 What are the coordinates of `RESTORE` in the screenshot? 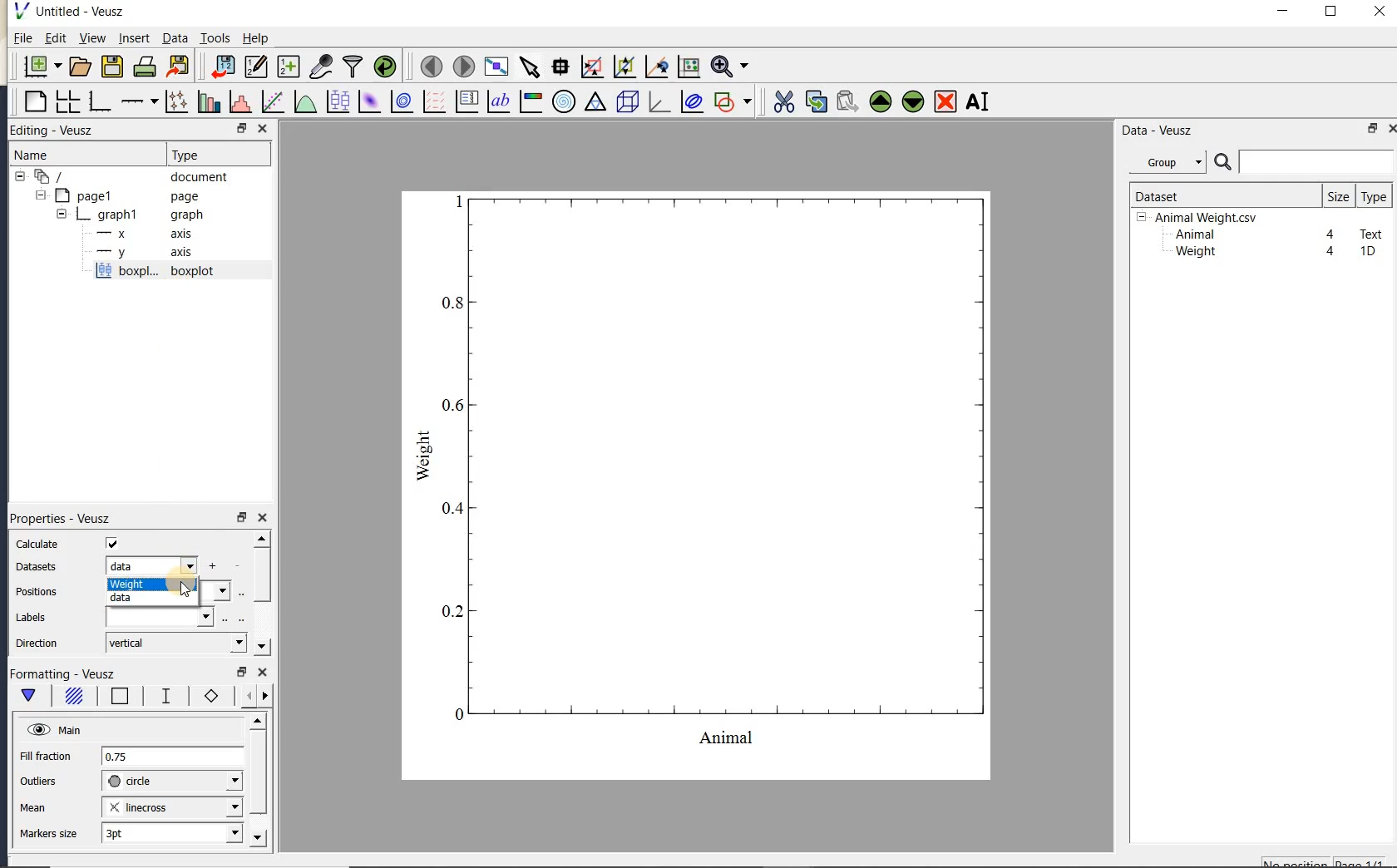 It's located at (239, 126).